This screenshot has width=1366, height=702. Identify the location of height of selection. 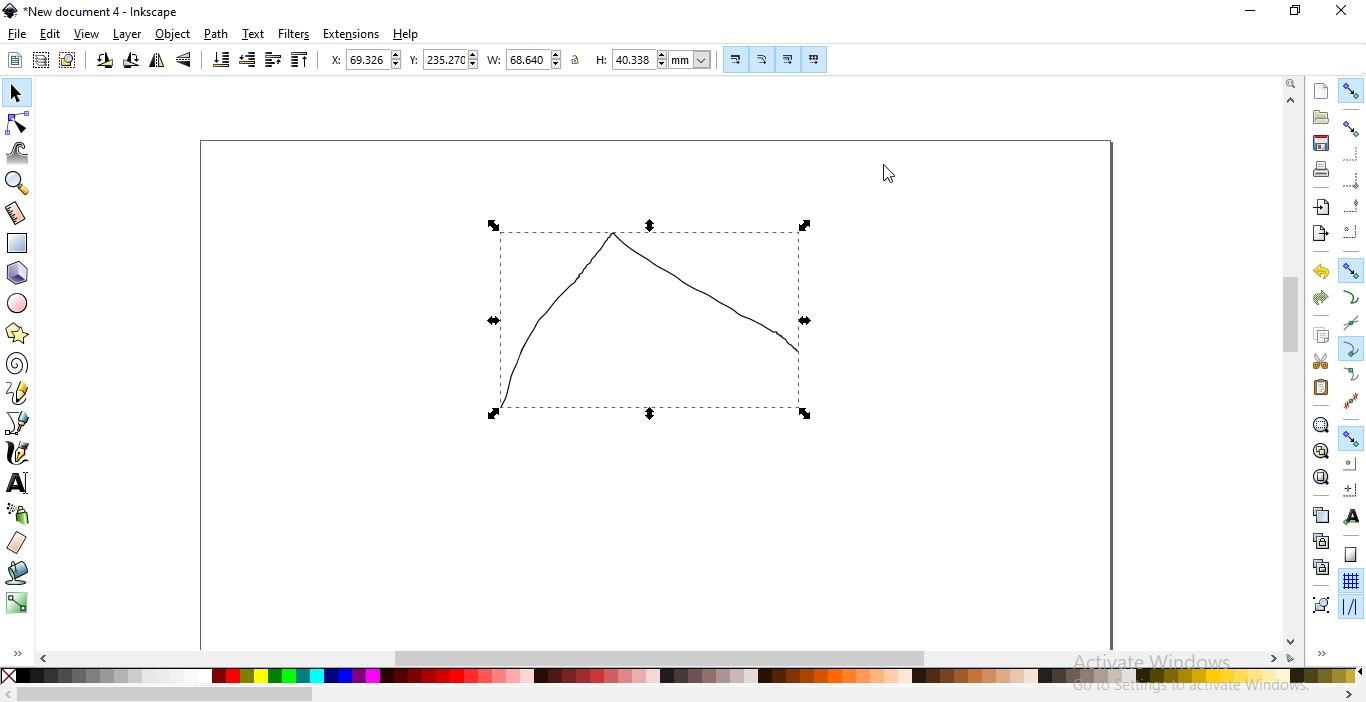
(653, 59).